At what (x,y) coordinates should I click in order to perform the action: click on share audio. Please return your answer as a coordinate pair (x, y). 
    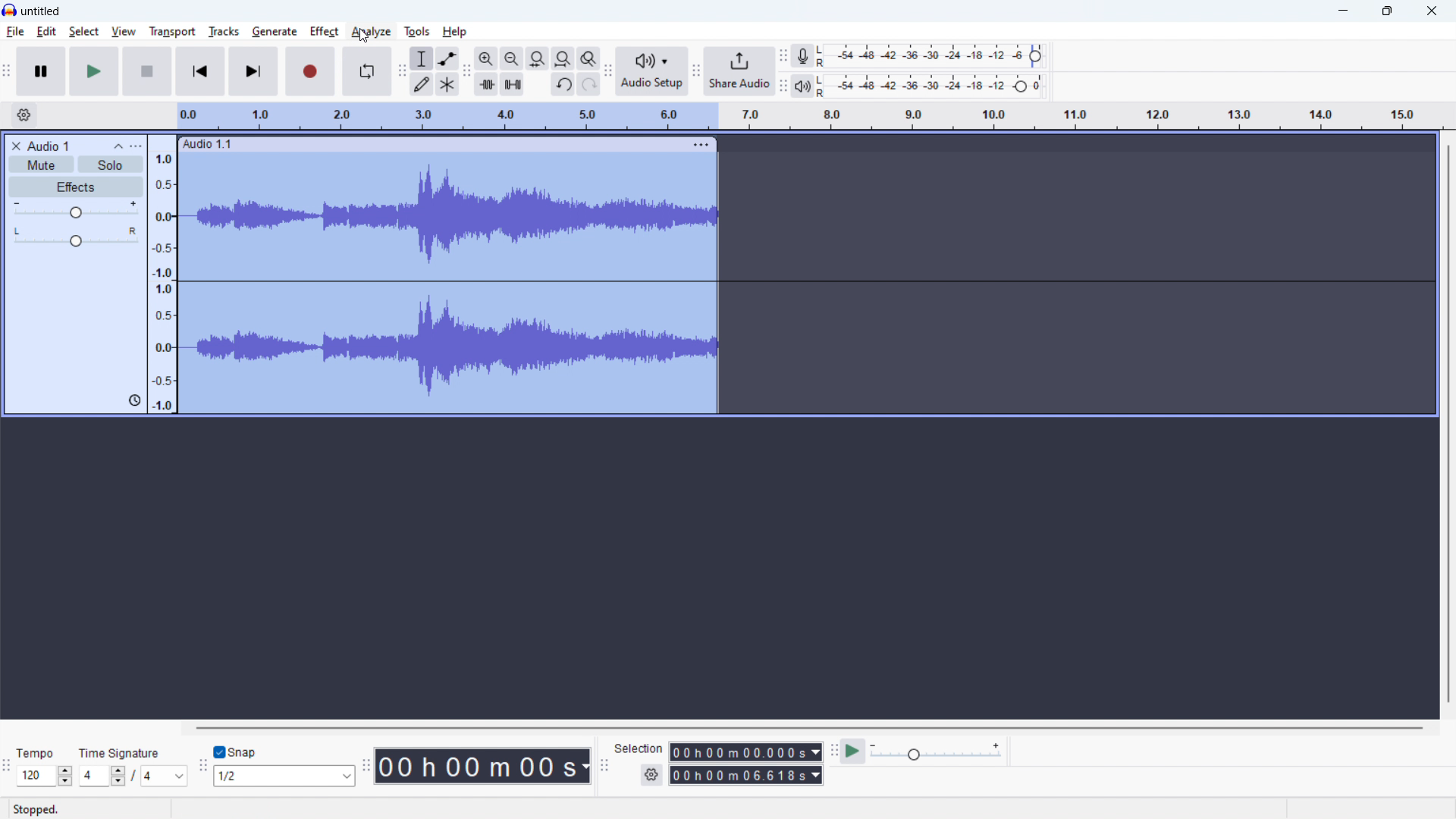
    Looking at the image, I should click on (740, 71).